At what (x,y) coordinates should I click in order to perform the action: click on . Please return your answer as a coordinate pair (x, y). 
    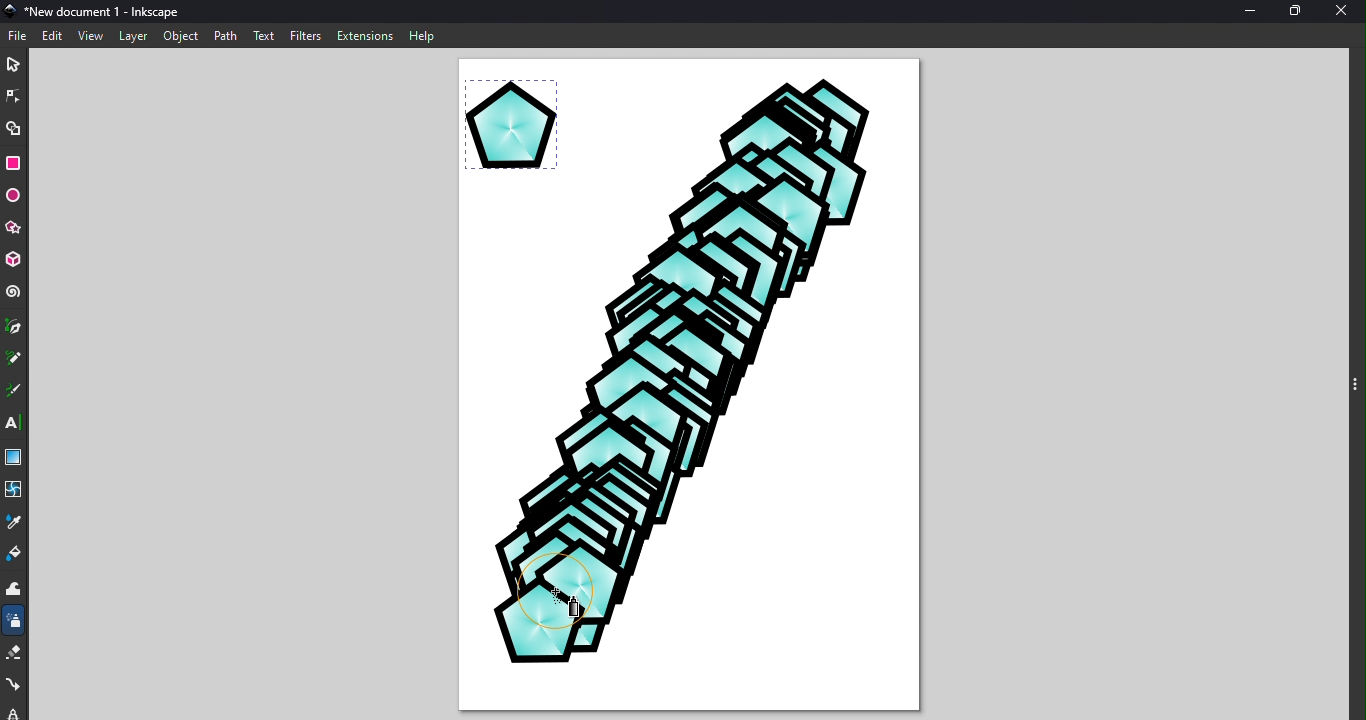
    Looking at the image, I should click on (695, 384).